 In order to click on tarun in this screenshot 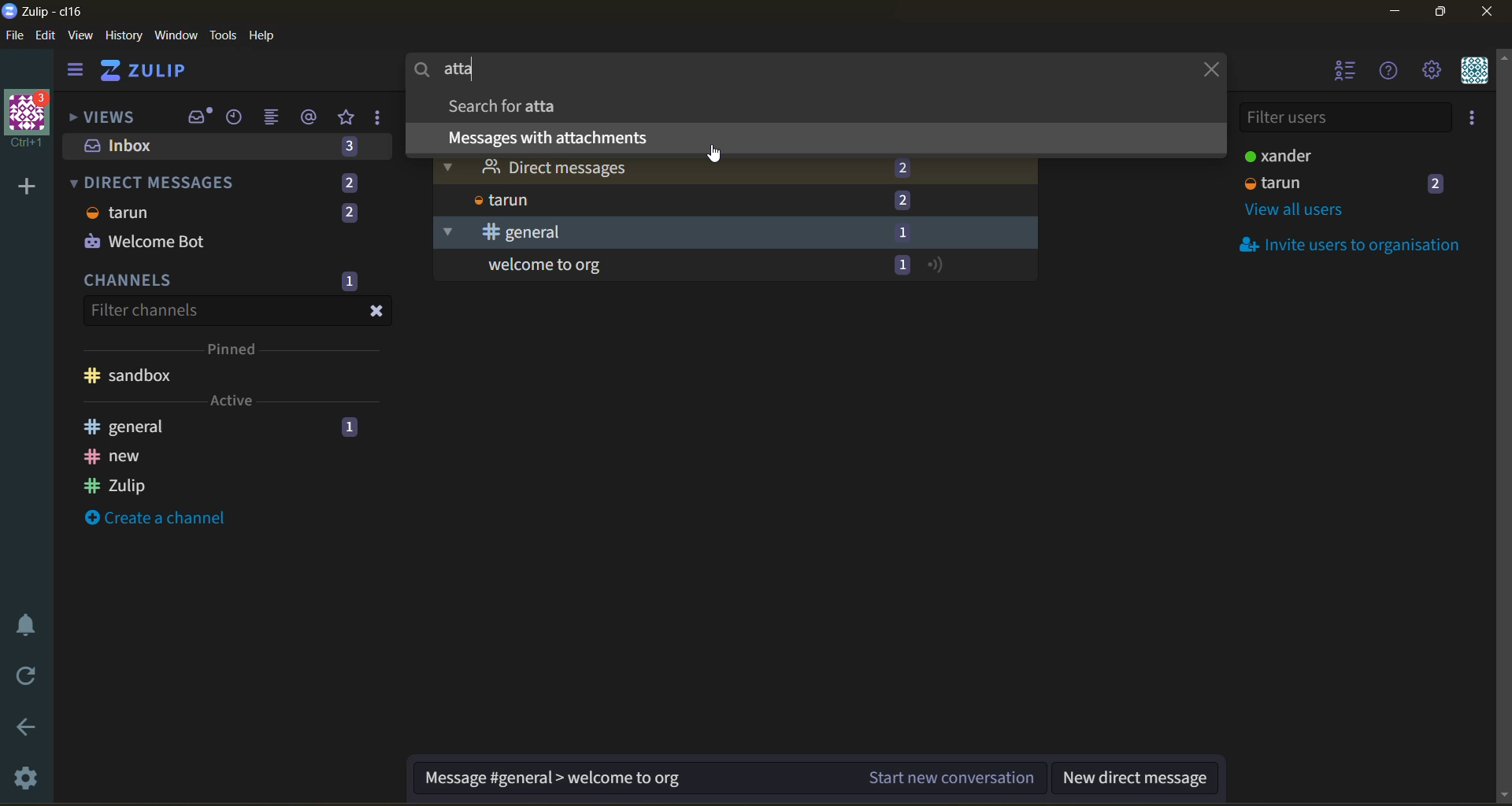, I will do `click(120, 213)`.